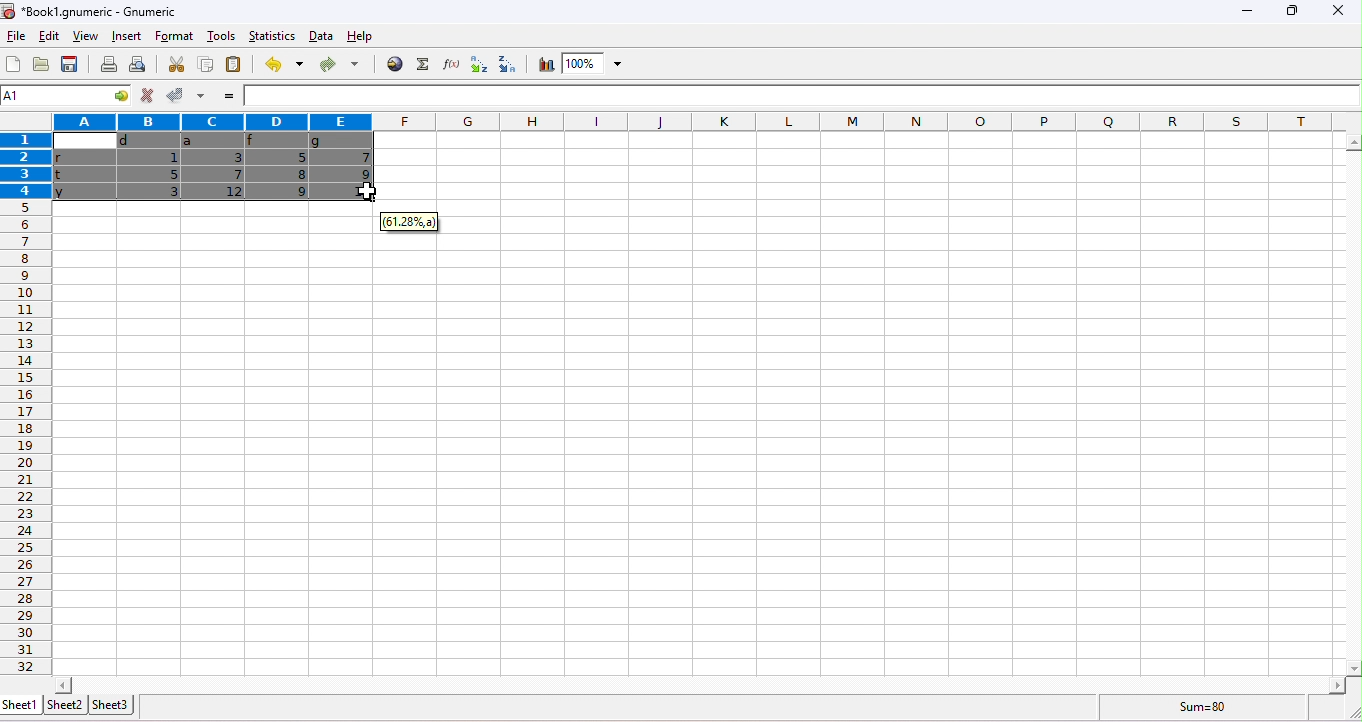 The width and height of the screenshot is (1362, 722). I want to click on print preview, so click(141, 64).